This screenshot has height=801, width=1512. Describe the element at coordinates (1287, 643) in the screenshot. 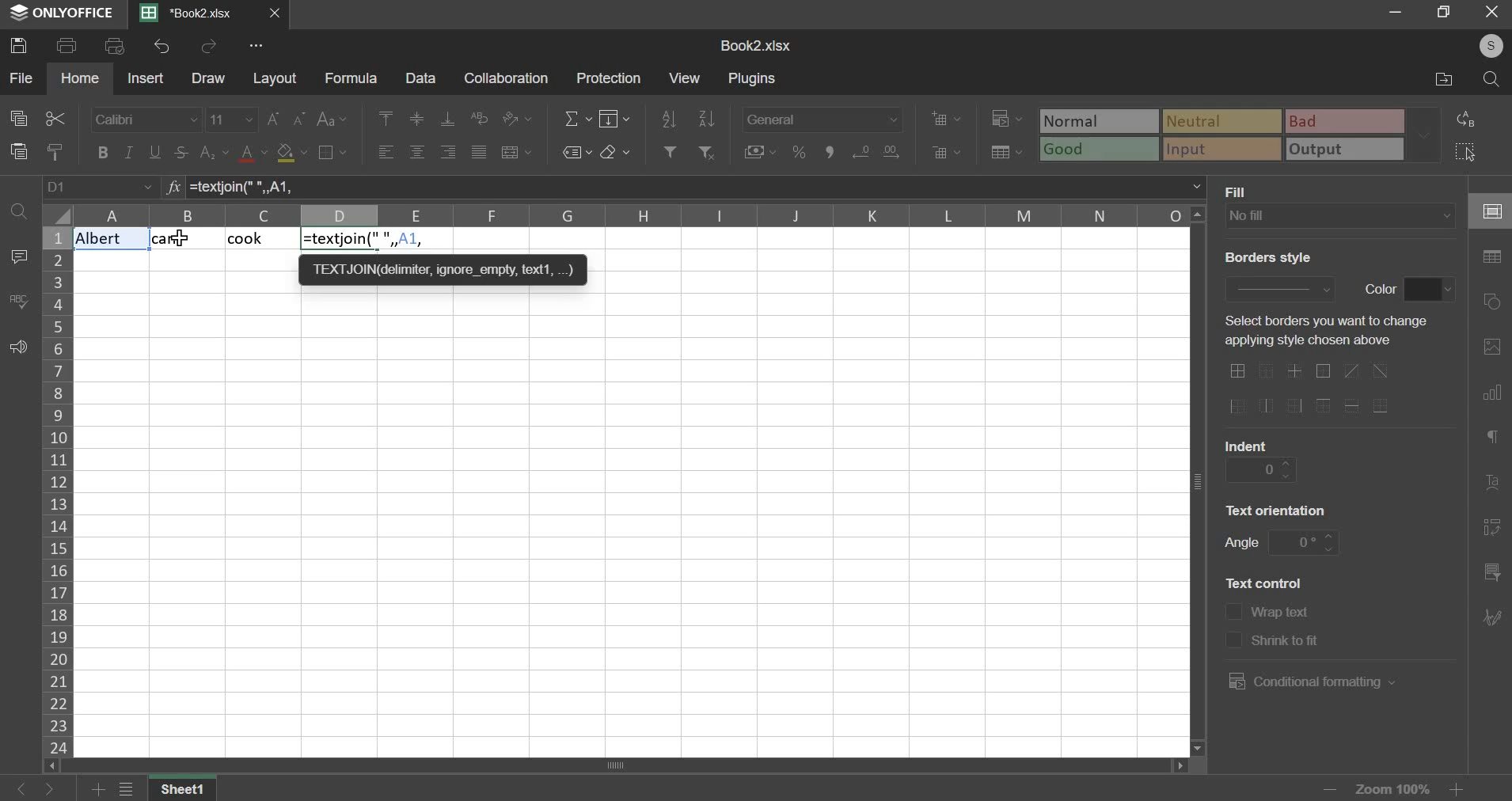

I see `text` at that location.